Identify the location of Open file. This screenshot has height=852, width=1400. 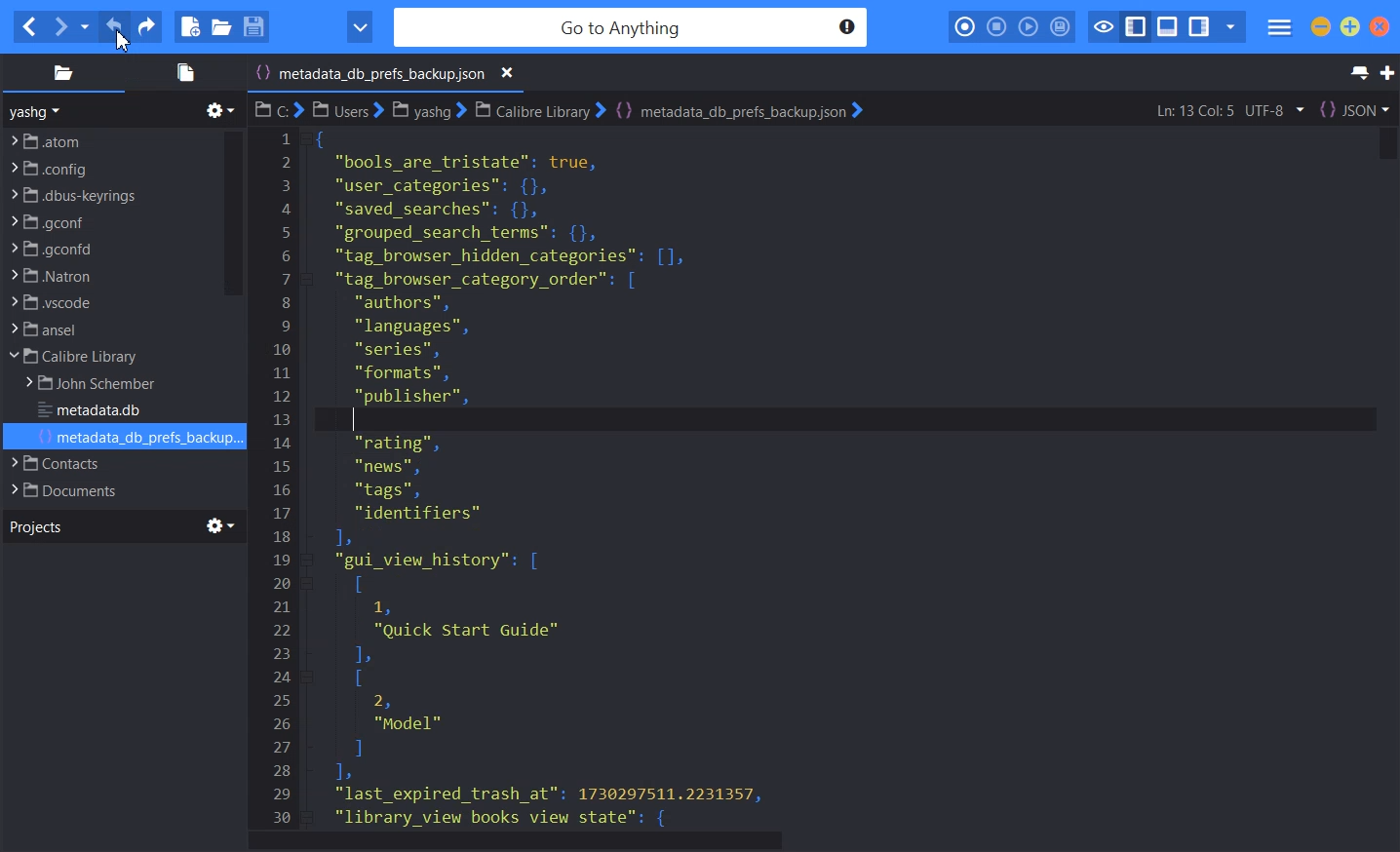
(221, 26).